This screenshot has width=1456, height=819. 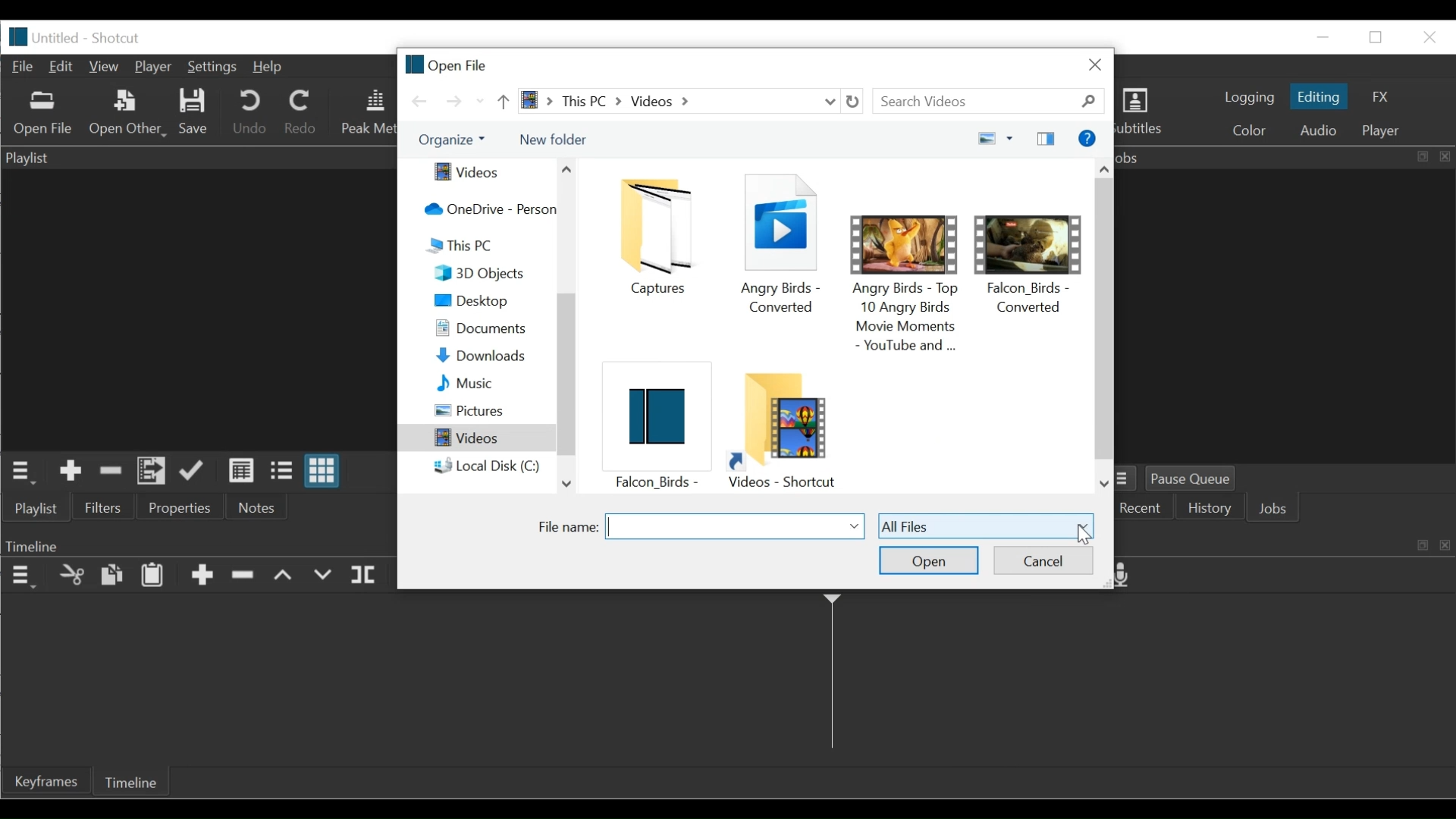 What do you see at coordinates (831, 676) in the screenshot?
I see `Timeline cursor` at bounding box center [831, 676].